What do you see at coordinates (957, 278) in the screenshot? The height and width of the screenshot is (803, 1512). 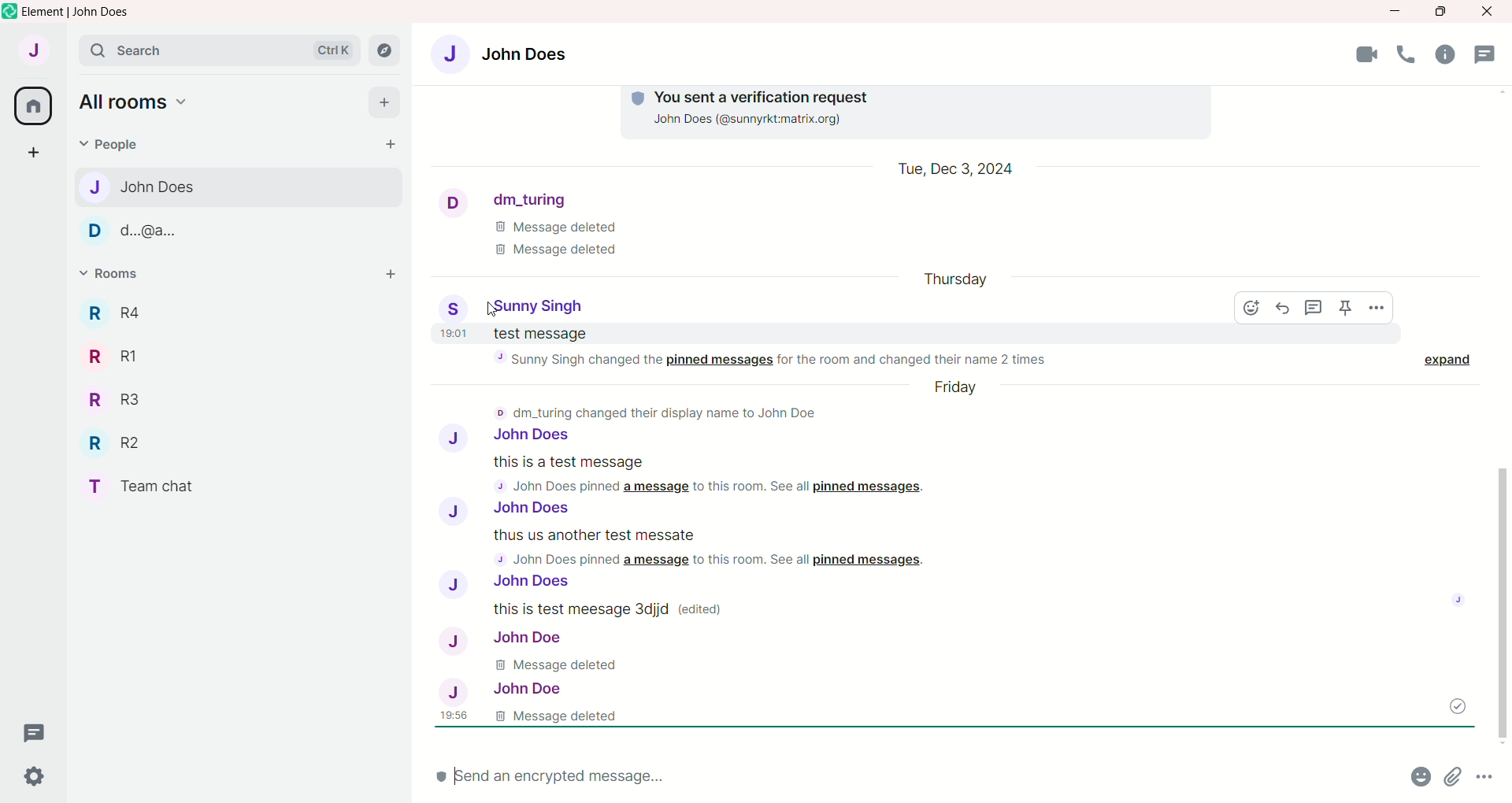 I see `day` at bounding box center [957, 278].